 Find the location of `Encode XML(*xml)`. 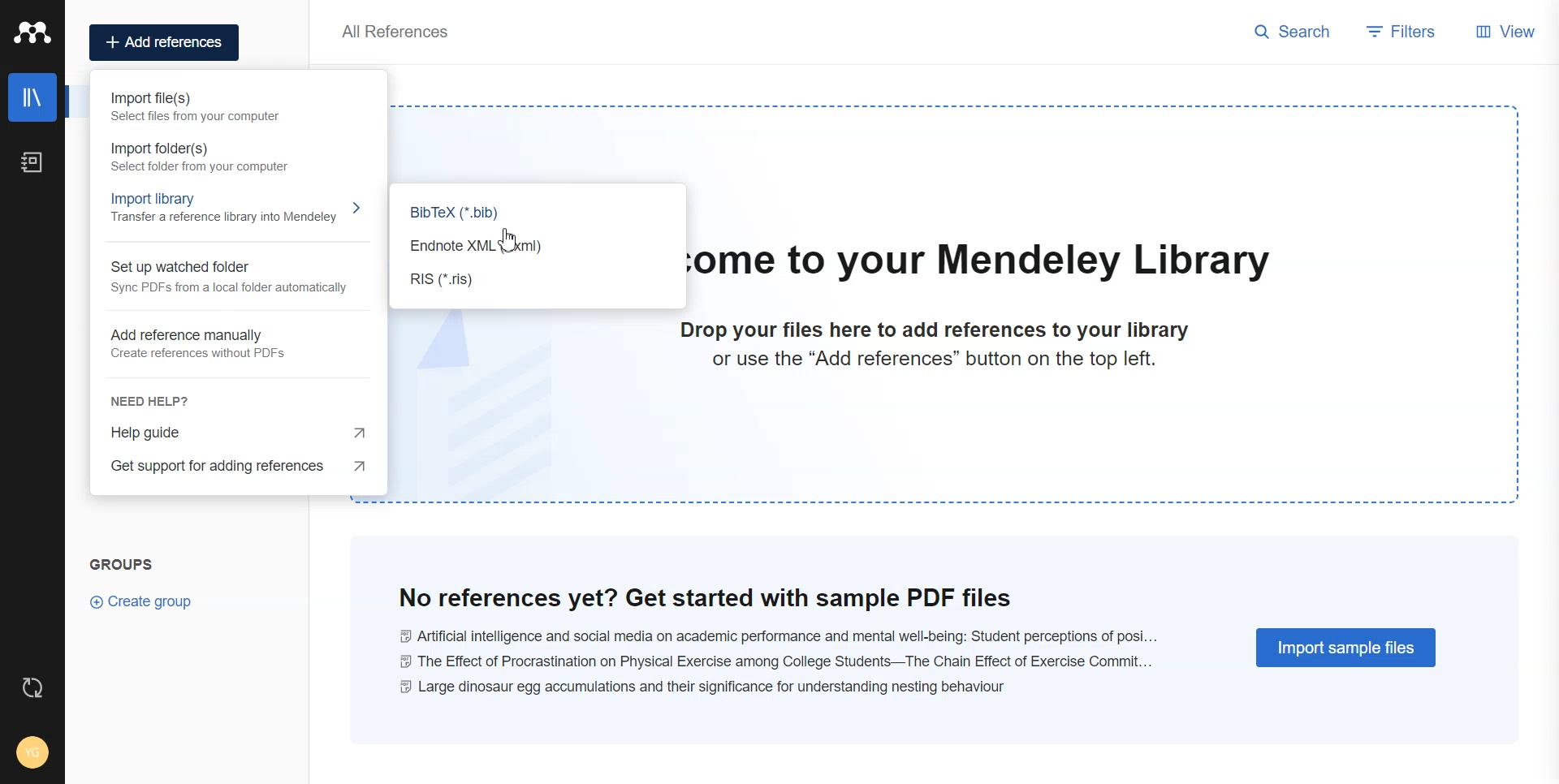

Encode XML(*xml) is located at coordinates (521, 249).